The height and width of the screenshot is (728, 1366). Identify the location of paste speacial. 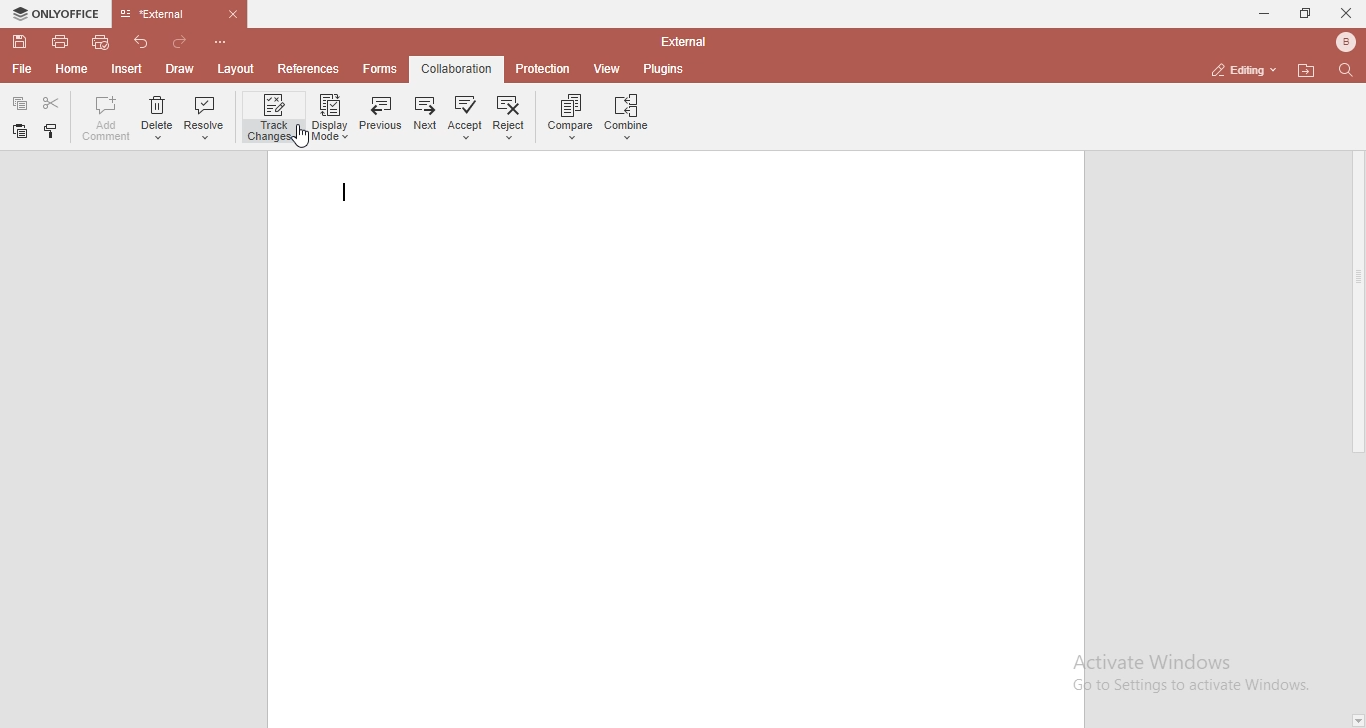
(20, 102).